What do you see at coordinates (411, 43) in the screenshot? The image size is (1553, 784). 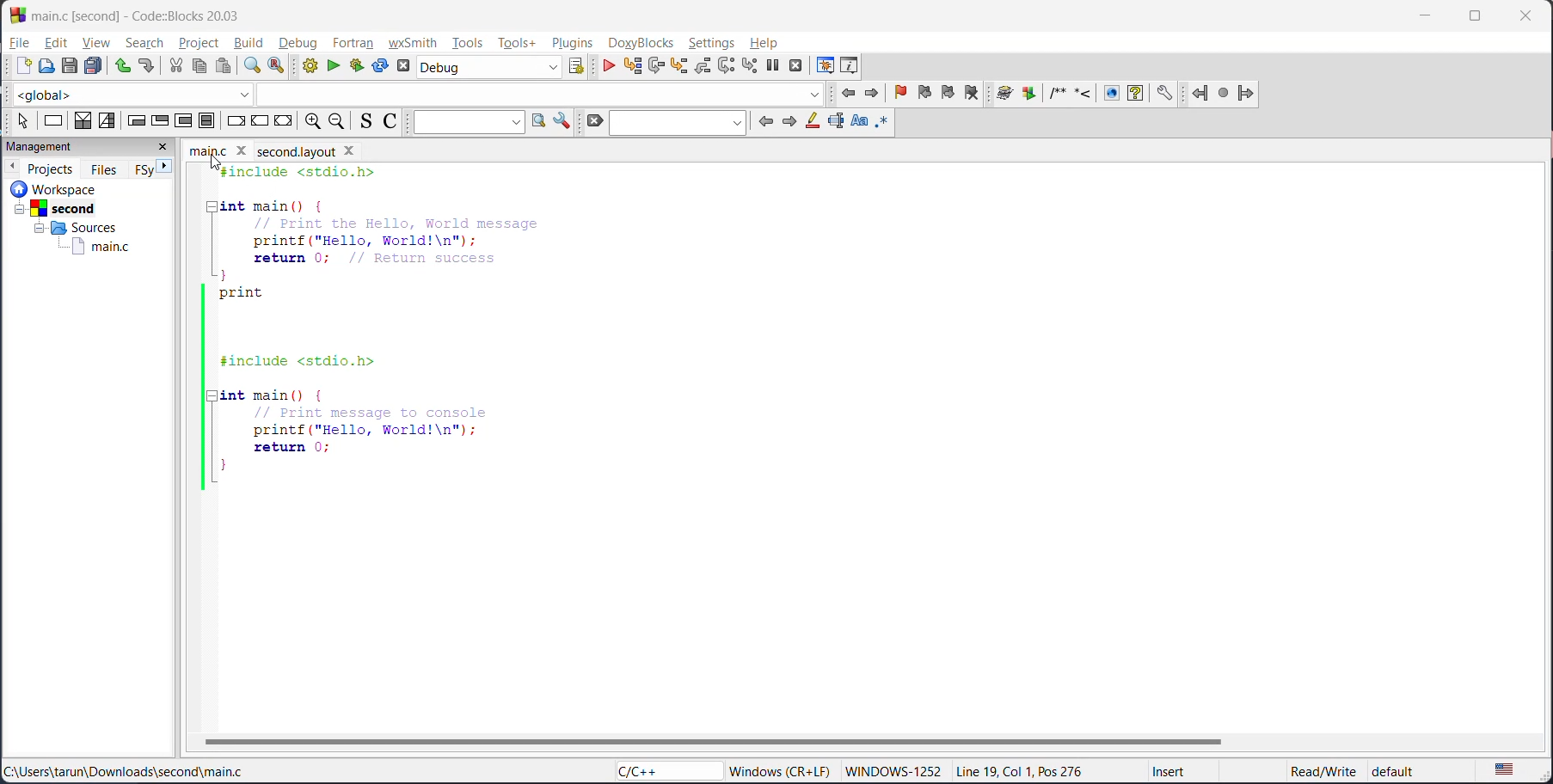 I see `wxsmith` at bounding box center [411, 43].